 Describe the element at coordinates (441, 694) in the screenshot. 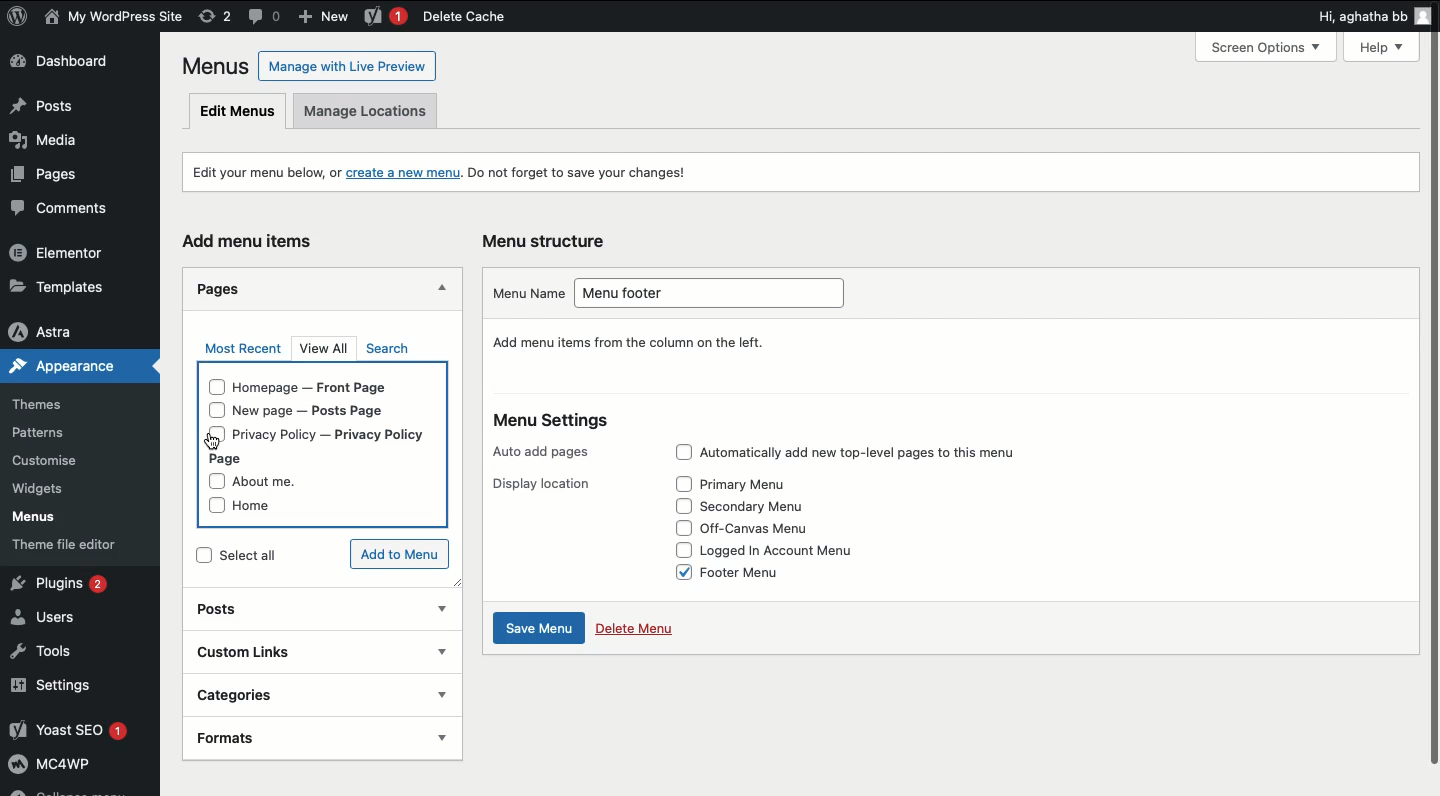

I see `show` at that location.